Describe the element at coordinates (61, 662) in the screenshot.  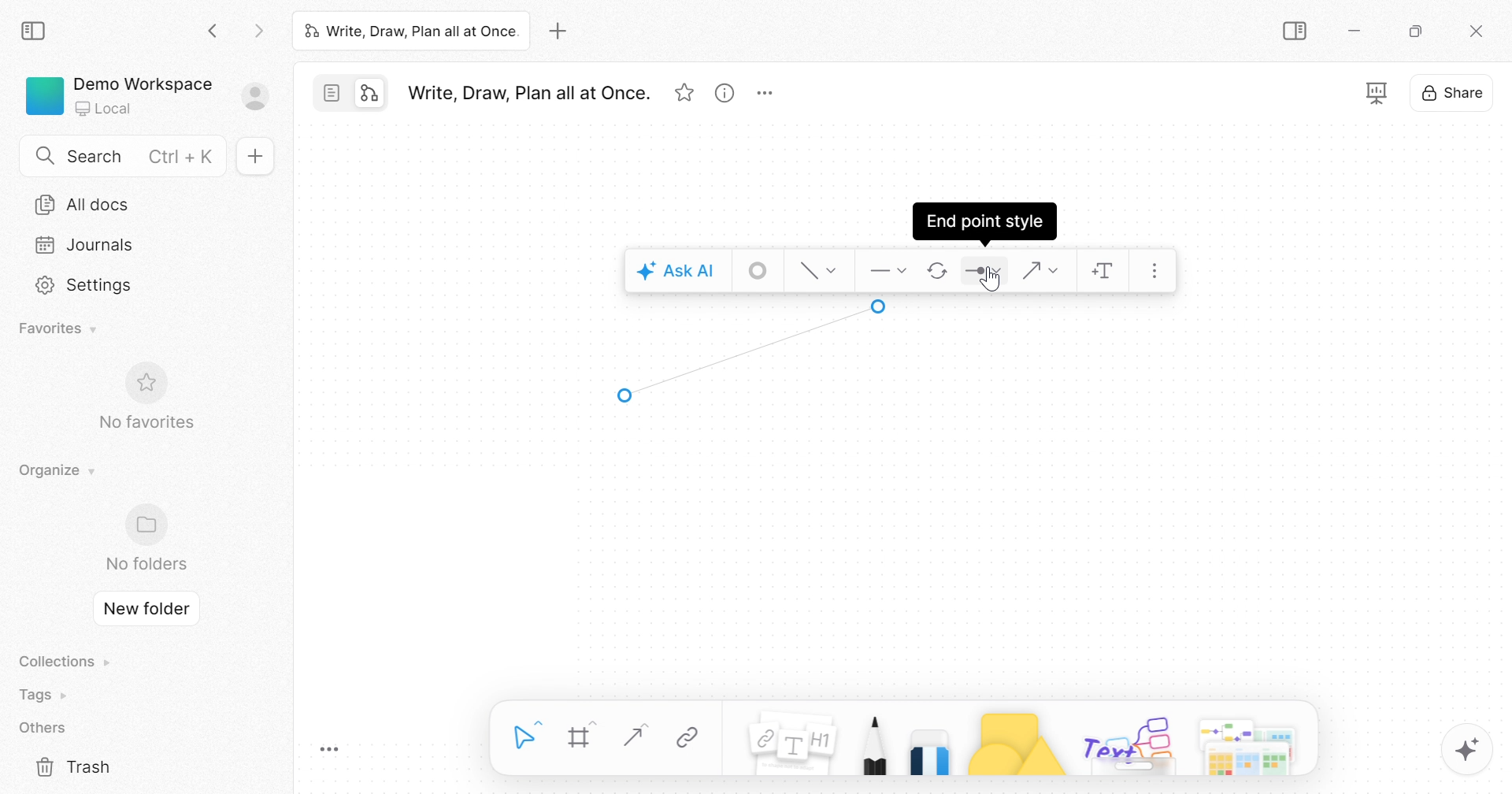
I see `Collections` at that location.